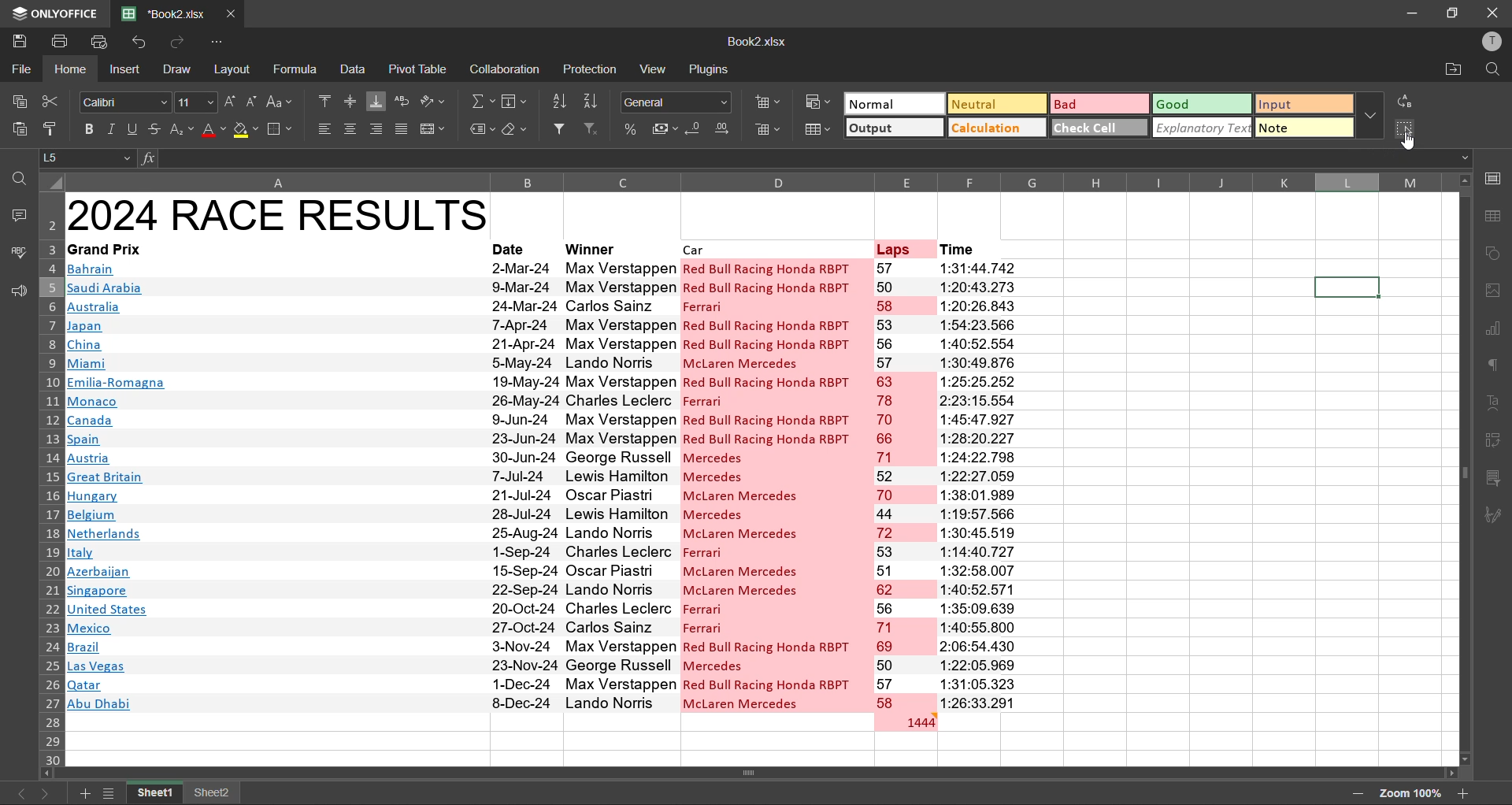 The height and width of the screenshot is (805, 1512). I want to click on clear filter, so click(592, 130).